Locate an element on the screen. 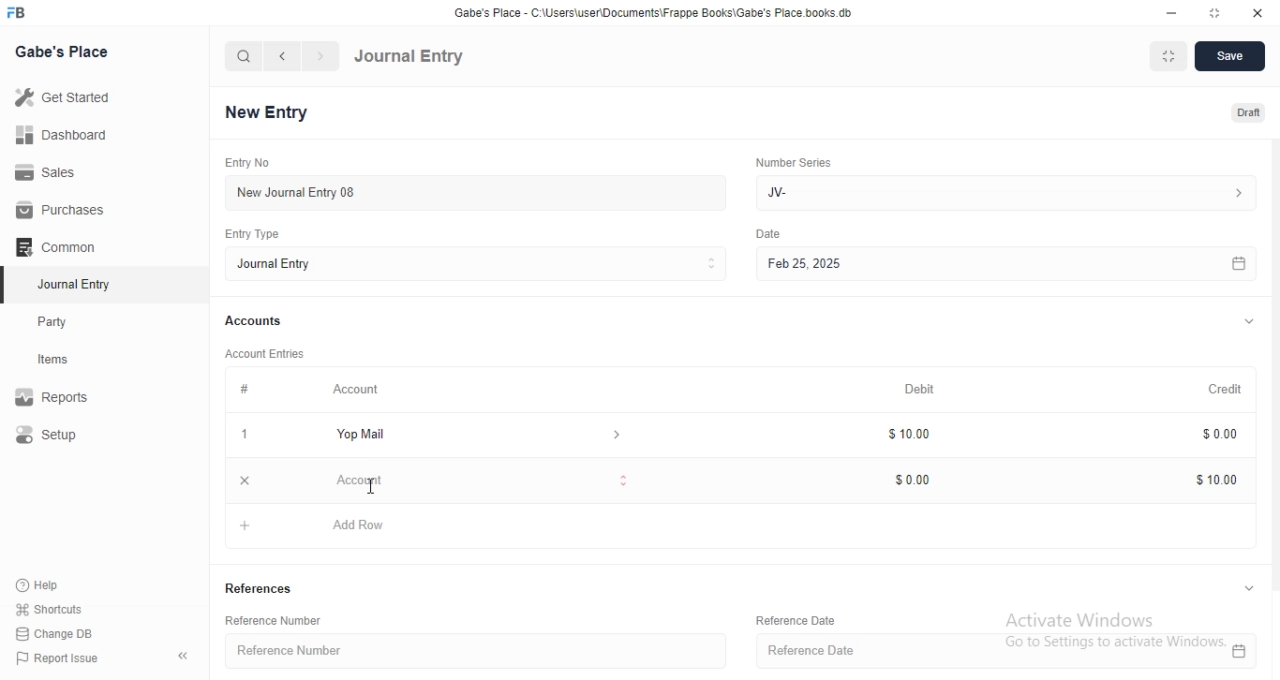 The width and height of the screenshot is (1280, 680). $10.00 is located at coordinates (1203, 478).